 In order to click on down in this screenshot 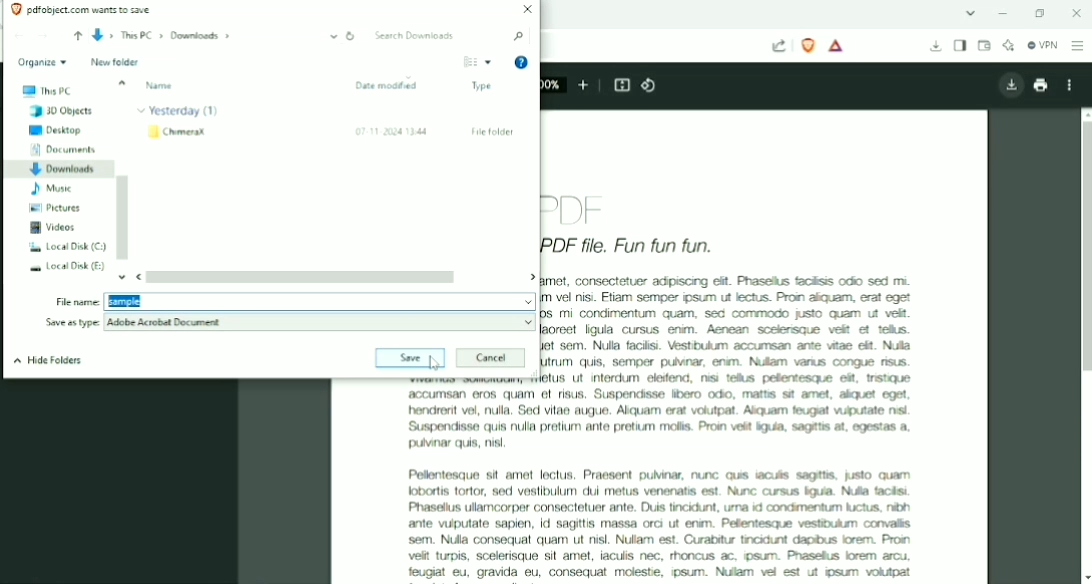, I will do `click(120, 279)`.